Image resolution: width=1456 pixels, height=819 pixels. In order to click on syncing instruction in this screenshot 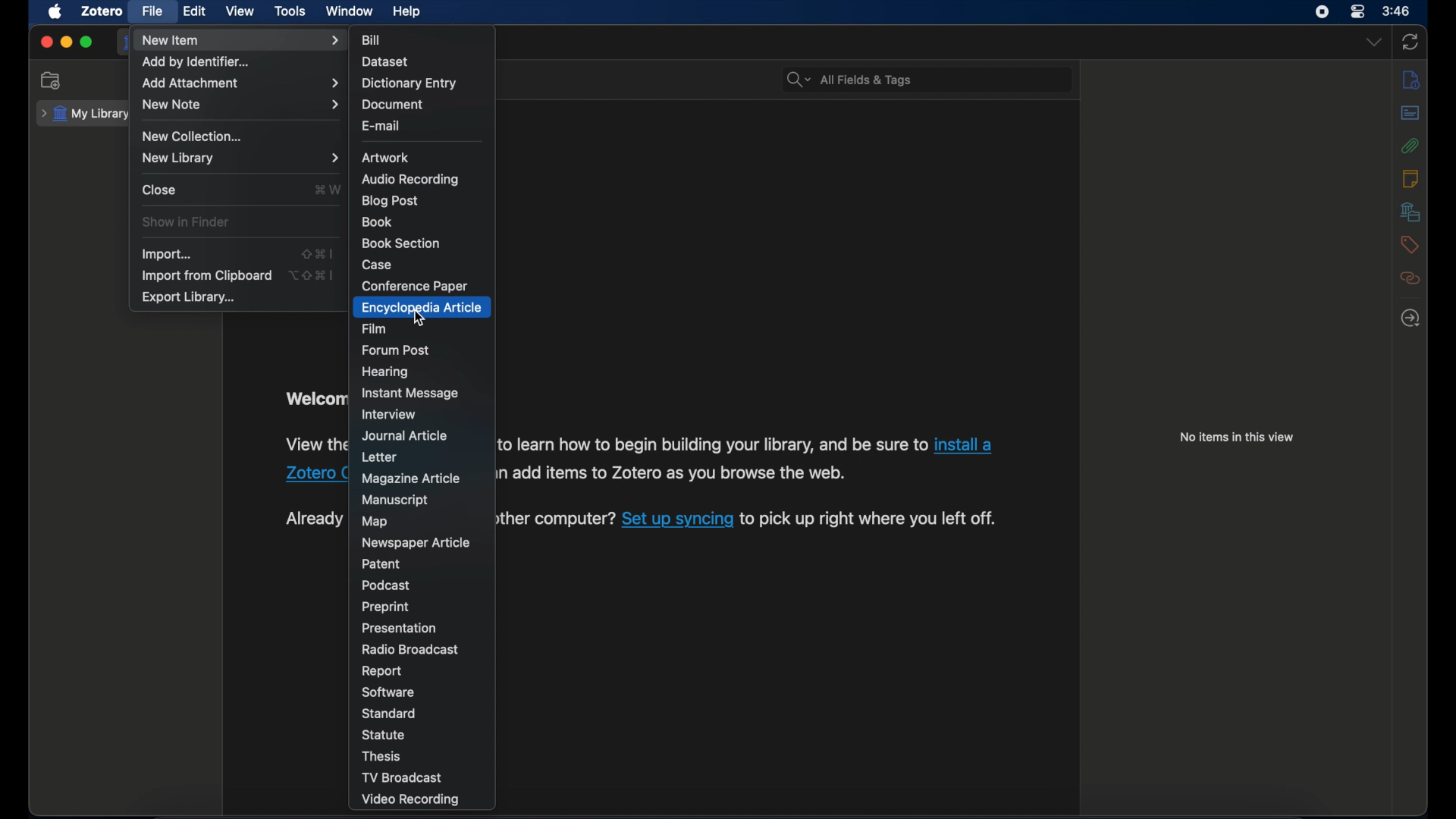, I will do `click(749, 519)`.